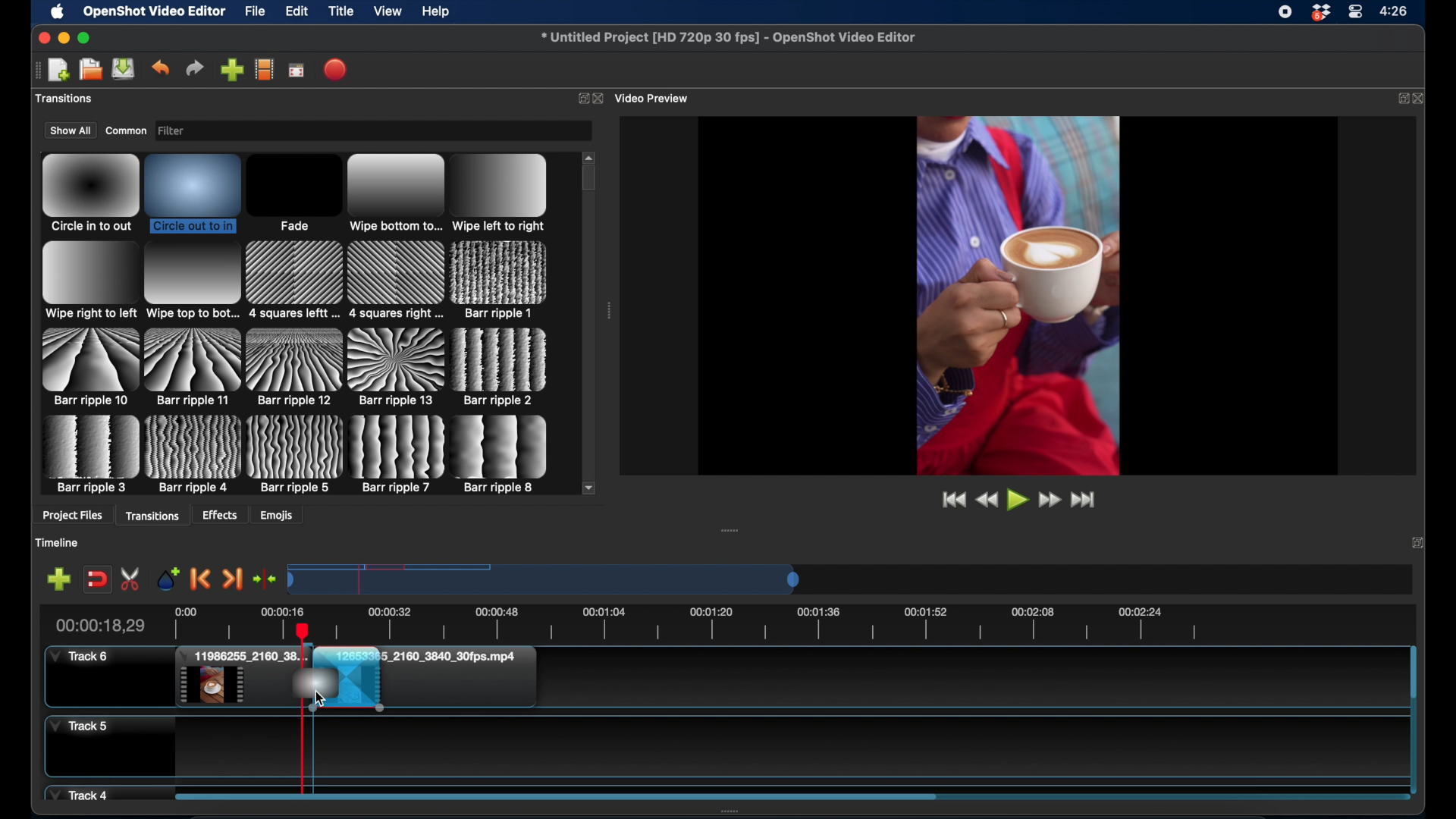 The image size is (1456, 819). Describe the element at coordinates (1399, 98) in the screenshot. I see `expand` at that location.